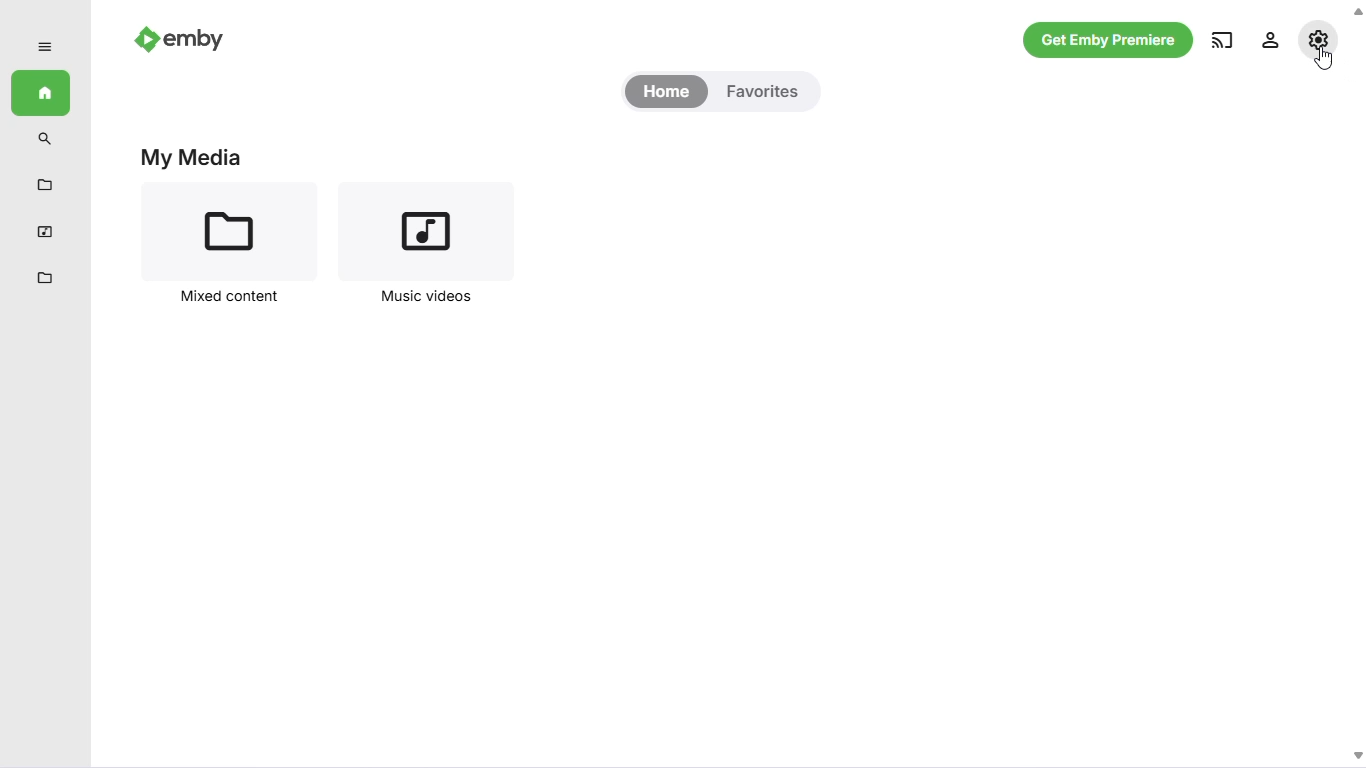 This screenshot has height=768, width=1366. Describe the element at coordinates (668, 91) in the screenshot. I see `home` at that location.